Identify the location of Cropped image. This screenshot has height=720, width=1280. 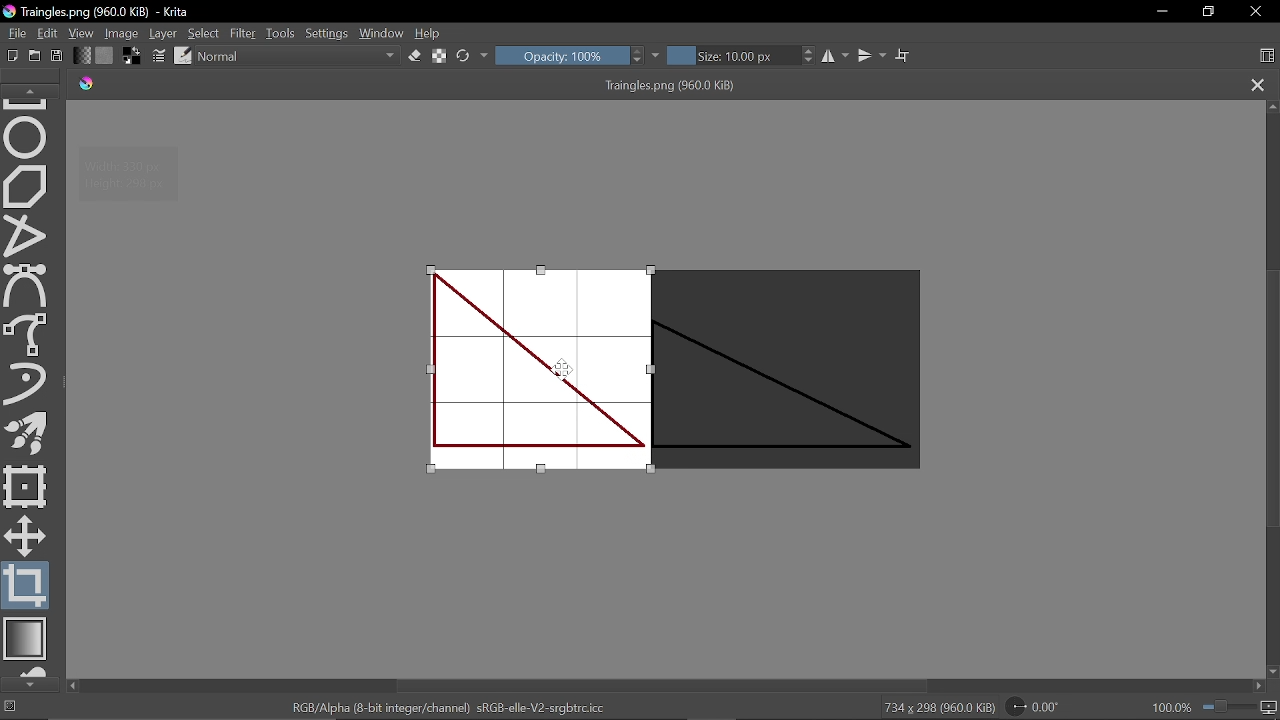
(539, 371).